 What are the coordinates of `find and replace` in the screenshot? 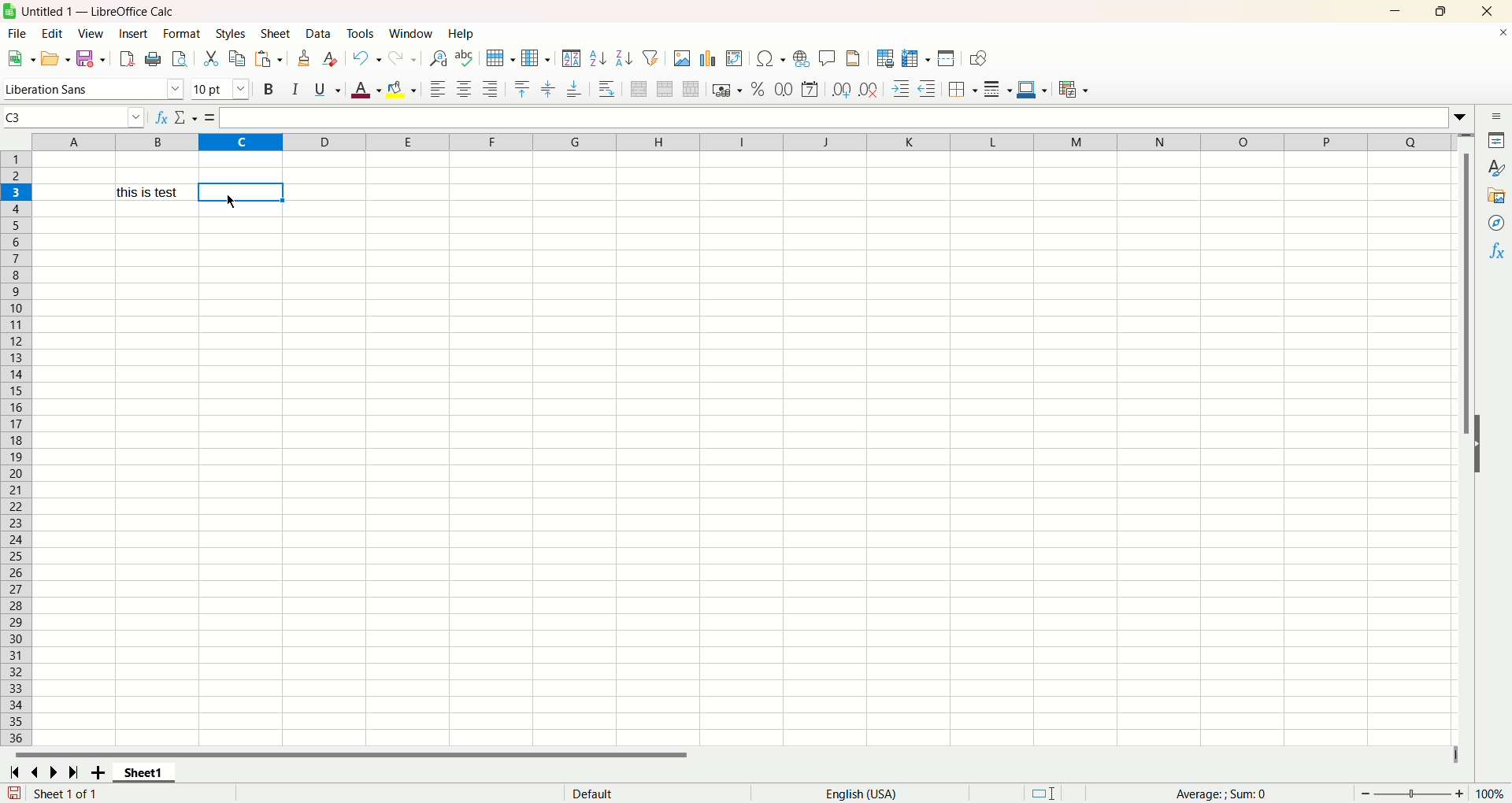 It's located at (439, 59).